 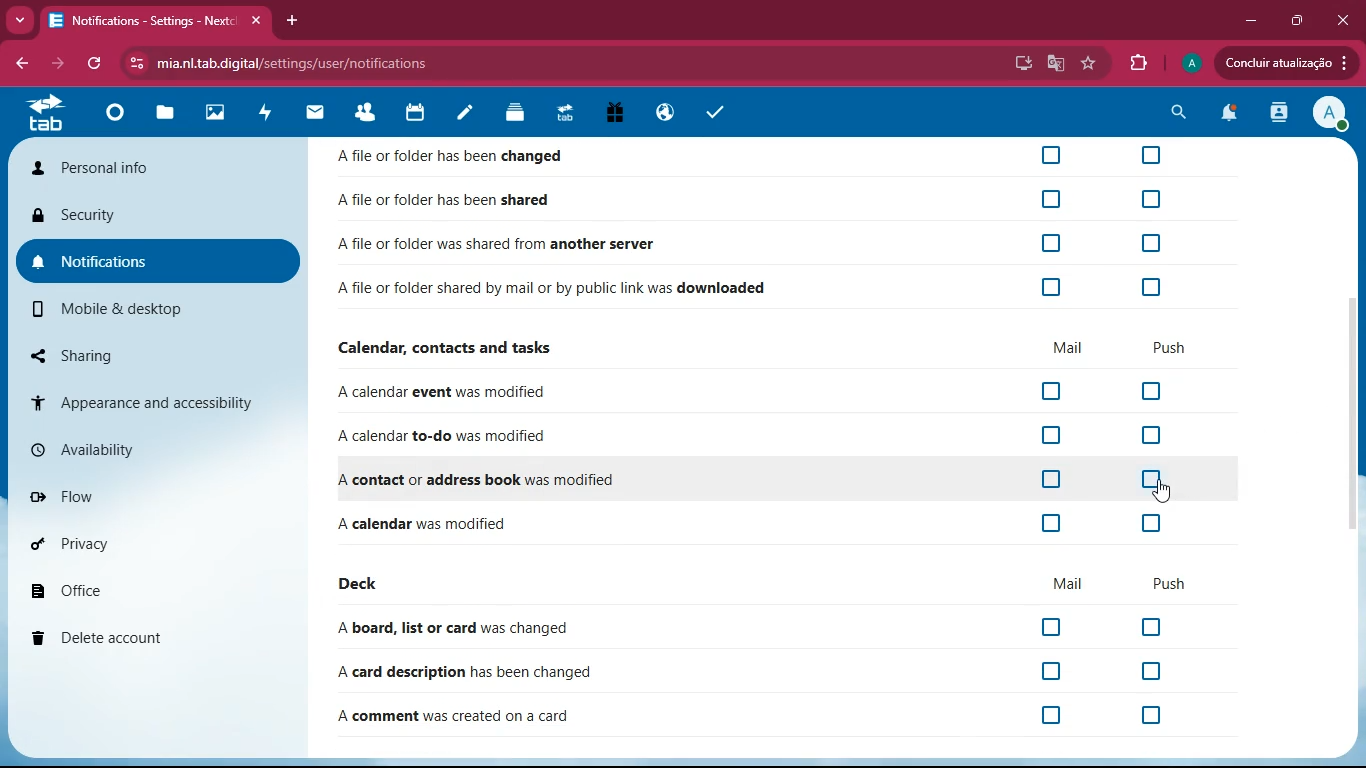 What do you see at coordinates (266, 113) in the screenshot?
I see `activity` at bounding box center [266, 113].